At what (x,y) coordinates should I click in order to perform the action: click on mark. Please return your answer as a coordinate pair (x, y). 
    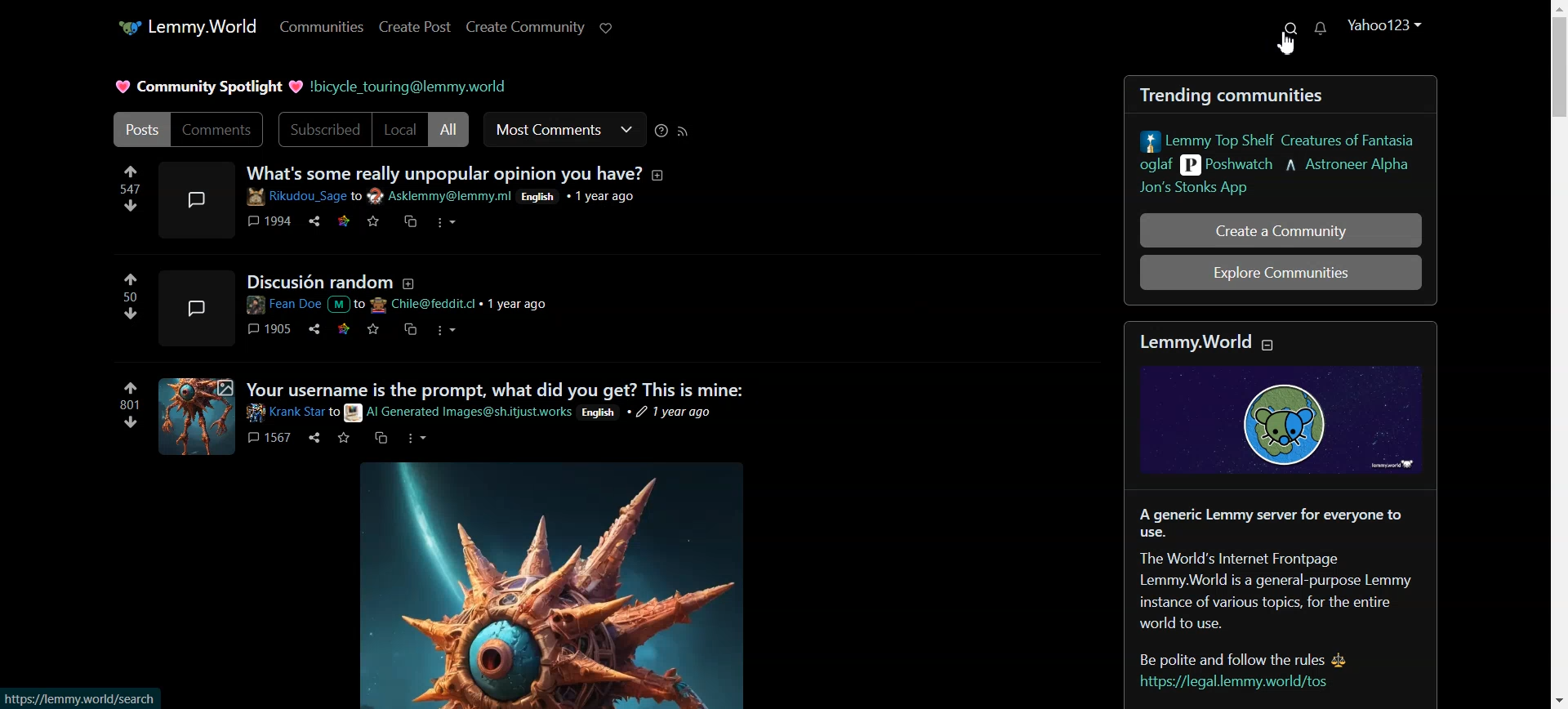
    Looking at the image, I should click on (345, 436).